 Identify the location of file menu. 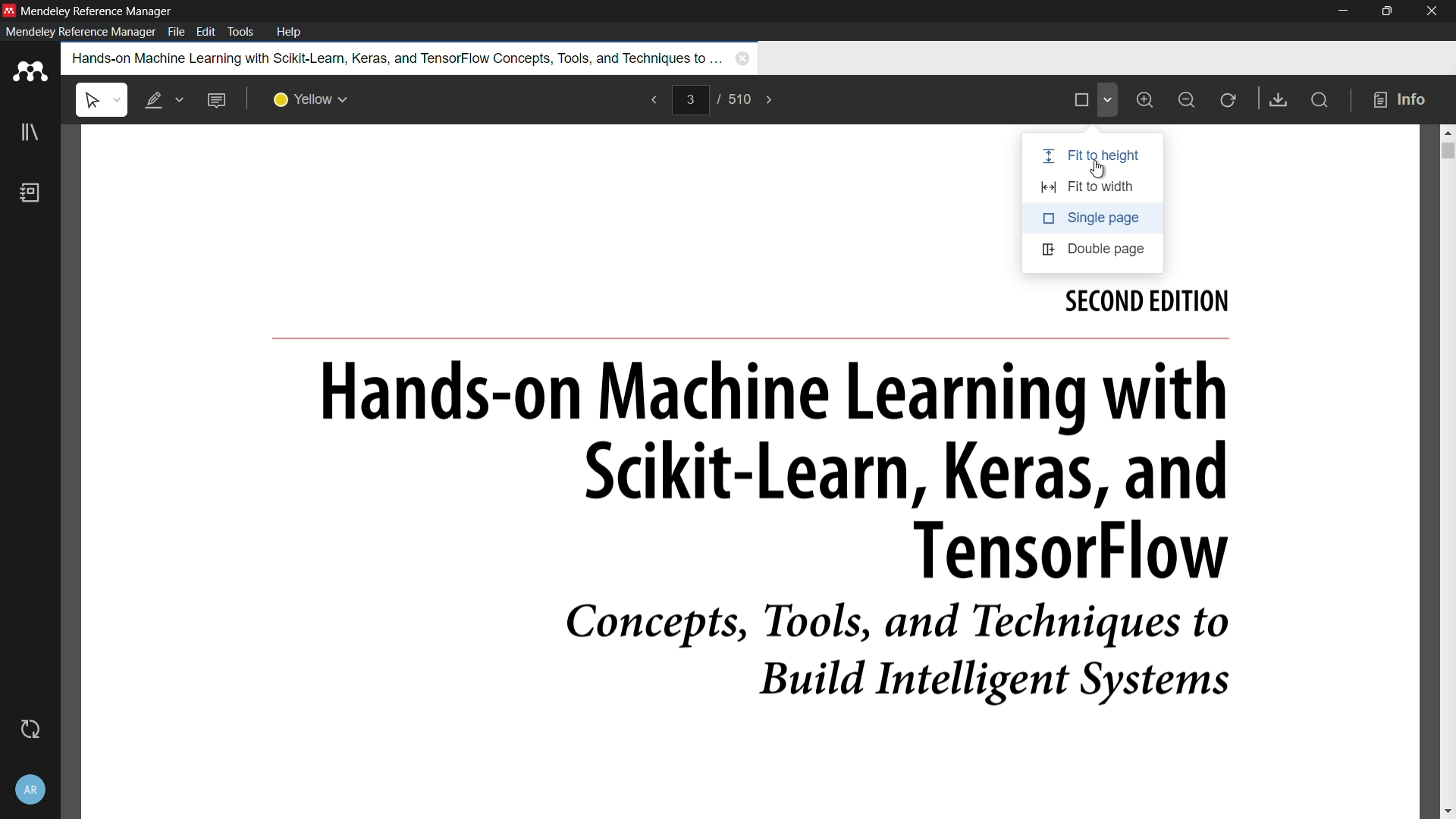
(176, 32).